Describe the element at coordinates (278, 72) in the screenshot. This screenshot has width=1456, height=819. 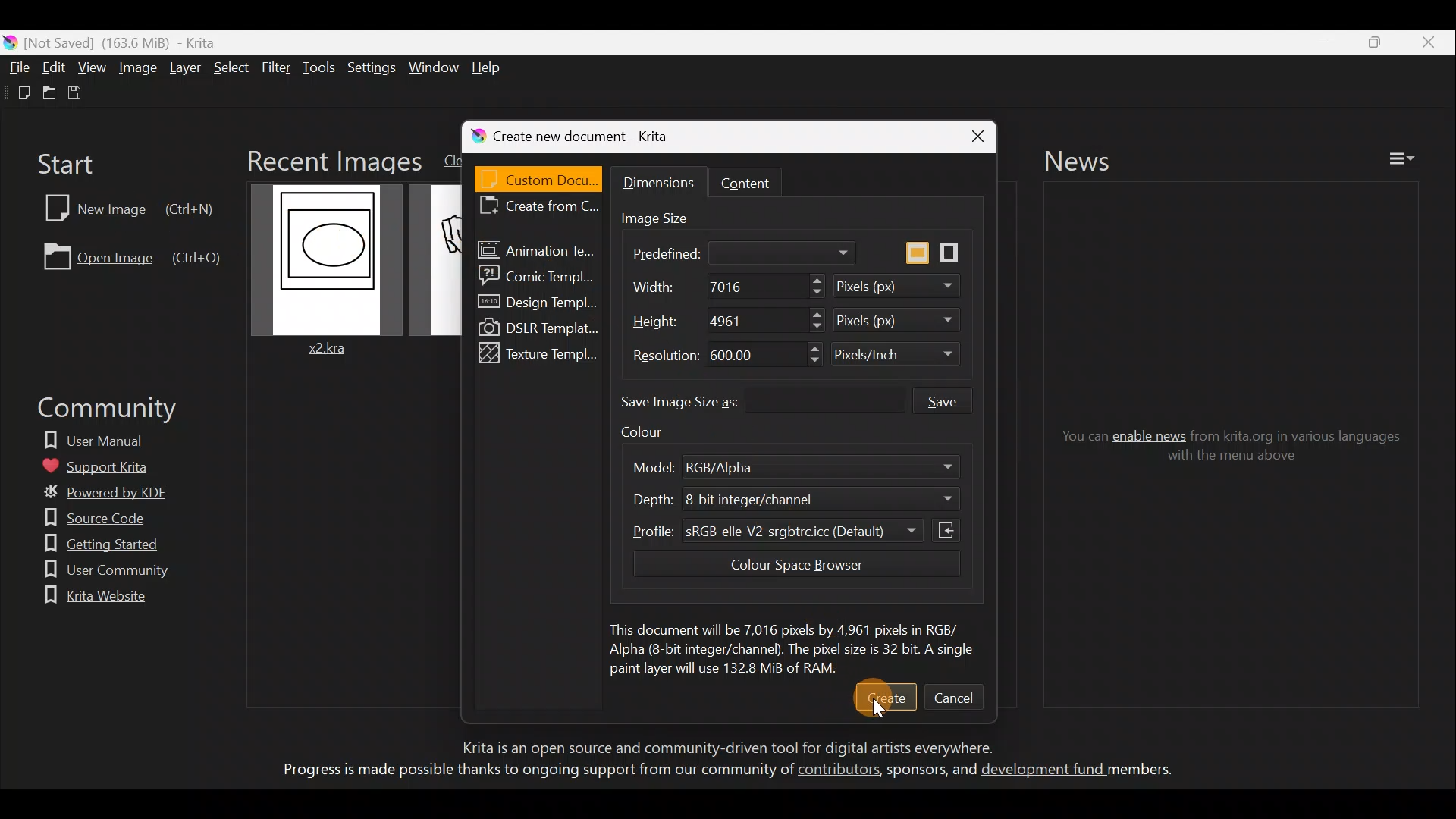
I see `Filter` at that location.